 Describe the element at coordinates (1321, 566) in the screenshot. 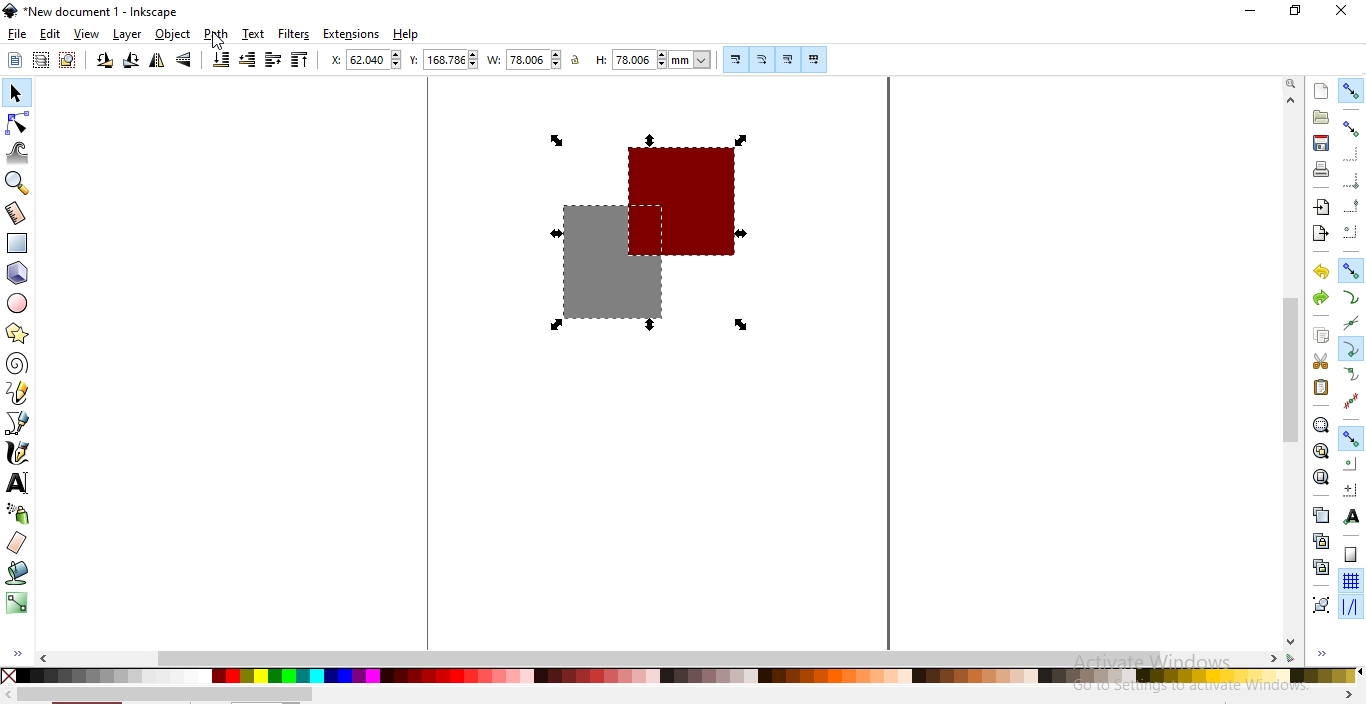

I see `cut the selected clones` at that location.